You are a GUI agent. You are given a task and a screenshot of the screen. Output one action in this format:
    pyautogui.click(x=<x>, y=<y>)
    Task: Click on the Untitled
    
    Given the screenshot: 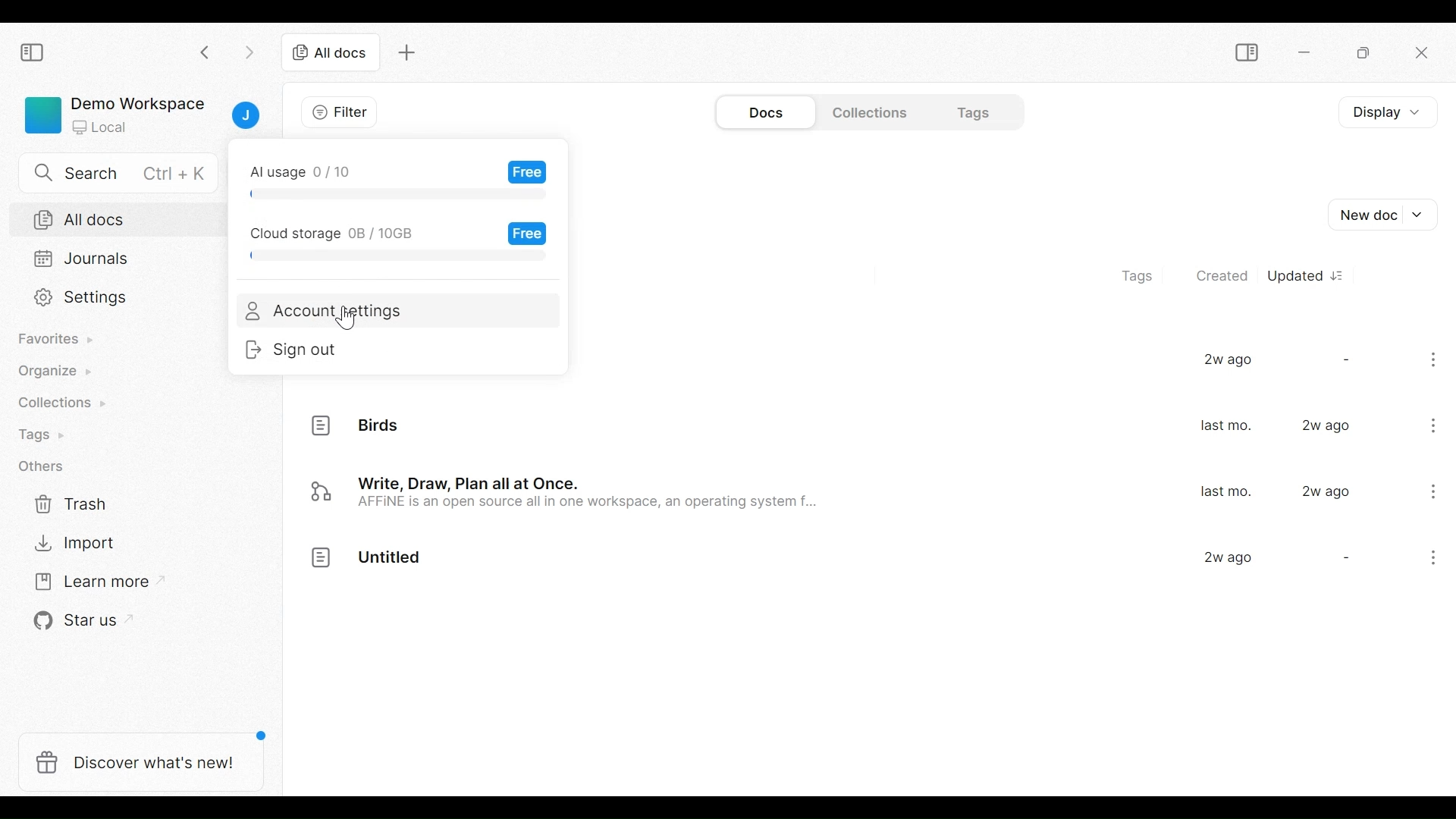 What is the action you would take?
    pyautogui.click(x=391, y=560)
    